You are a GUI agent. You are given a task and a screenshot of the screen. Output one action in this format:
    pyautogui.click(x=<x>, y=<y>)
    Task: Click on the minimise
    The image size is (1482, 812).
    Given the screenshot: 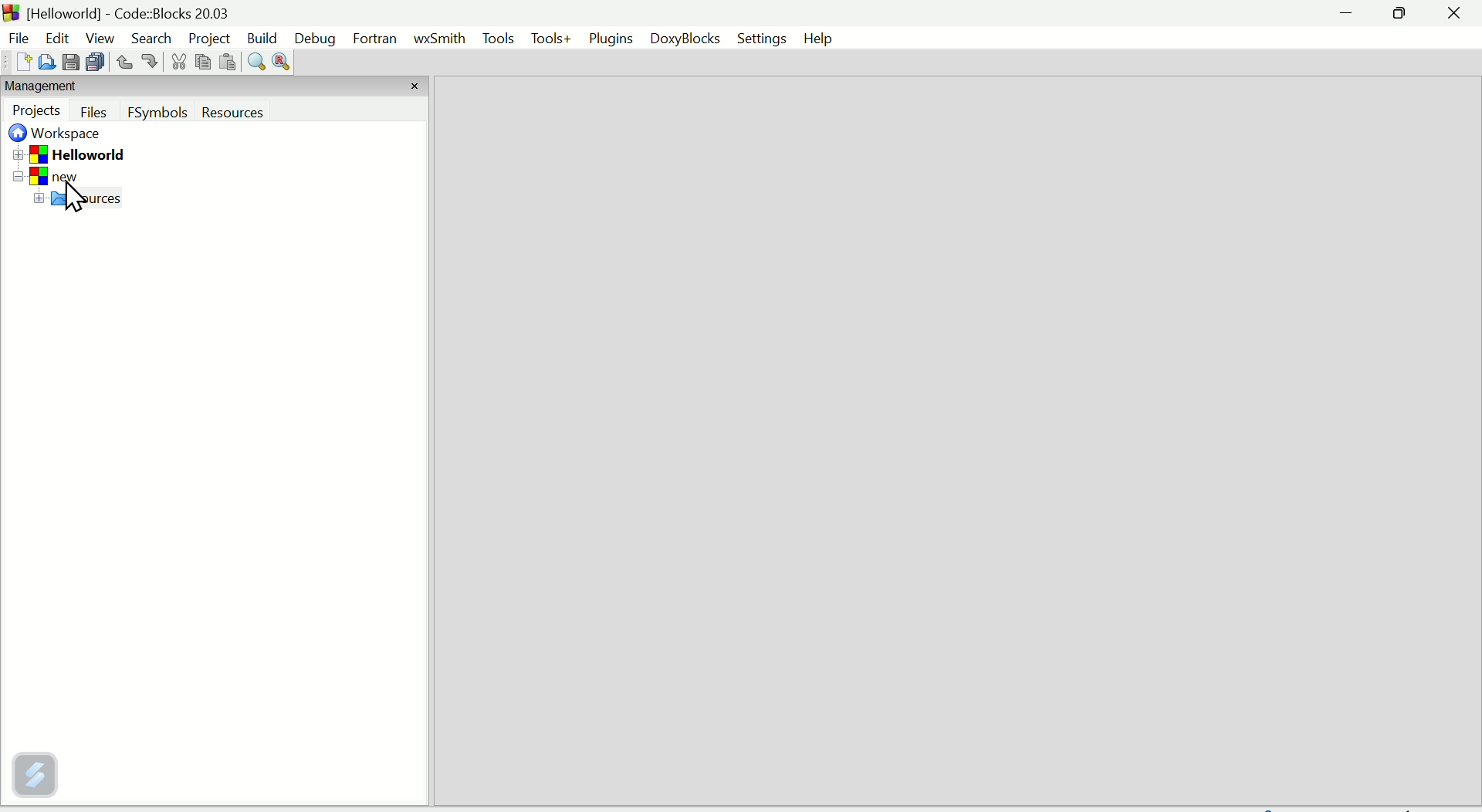 What is the action you would take?
    pyautogui.click(x=1347, y=15)
    